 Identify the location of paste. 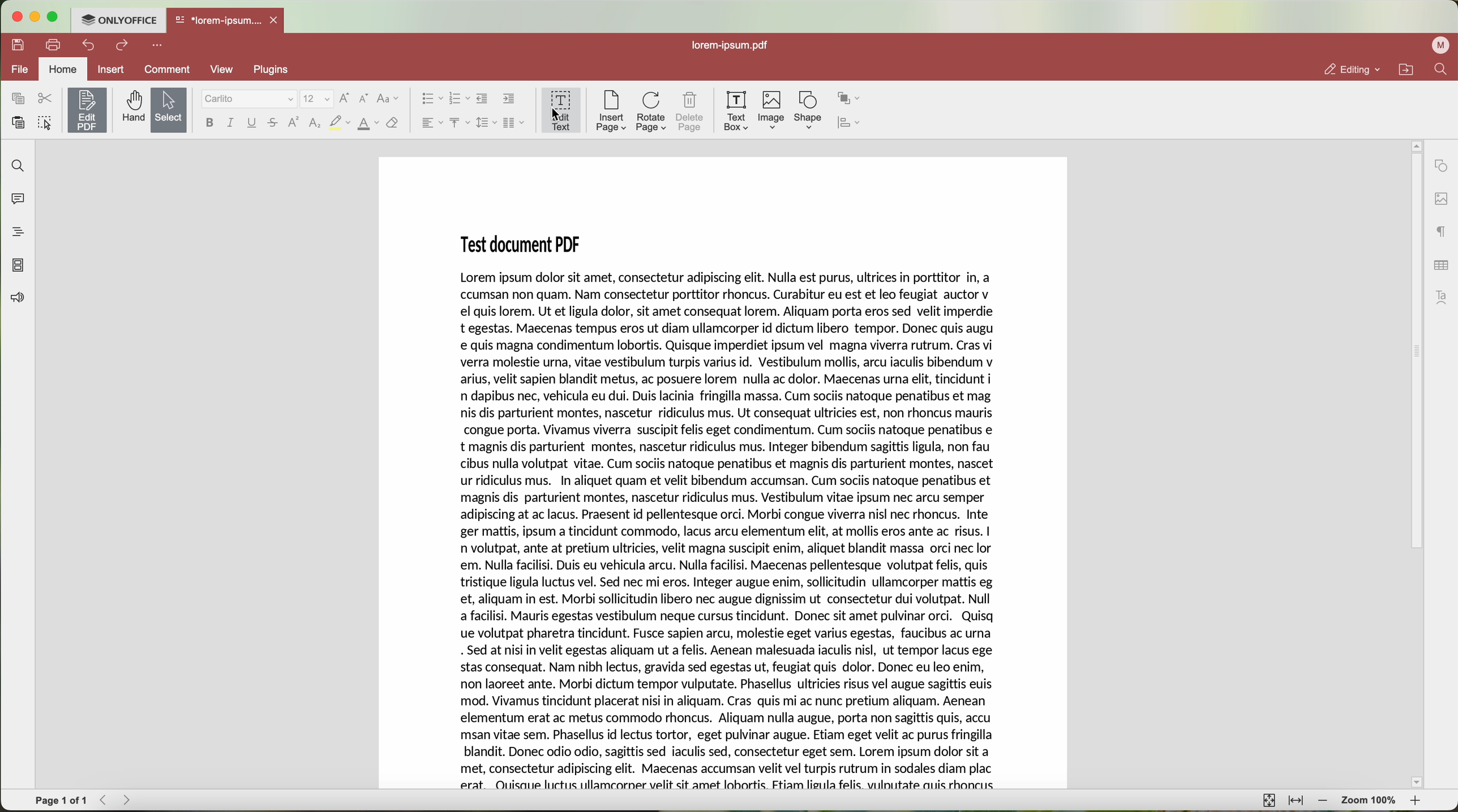
(19, 122).